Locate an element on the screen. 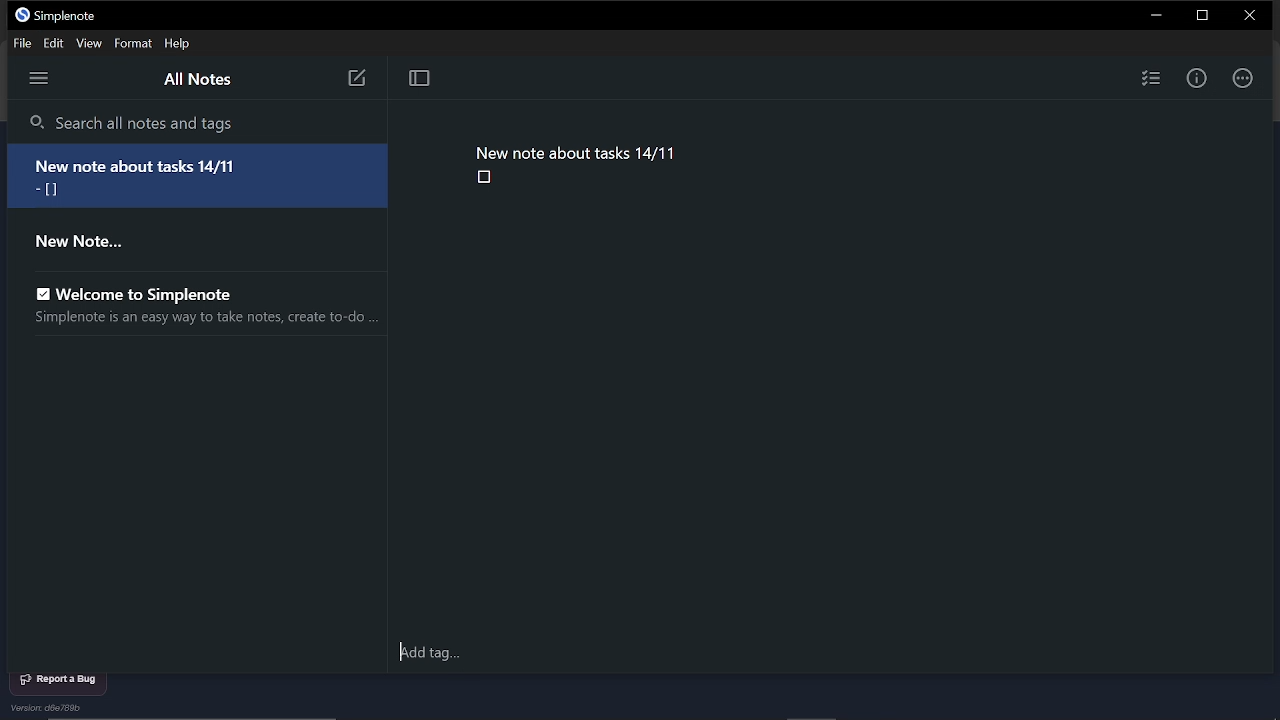 This screenshot has width=1280, height=720. New note about tasks 14/11 is located at coordinates (577, 151).